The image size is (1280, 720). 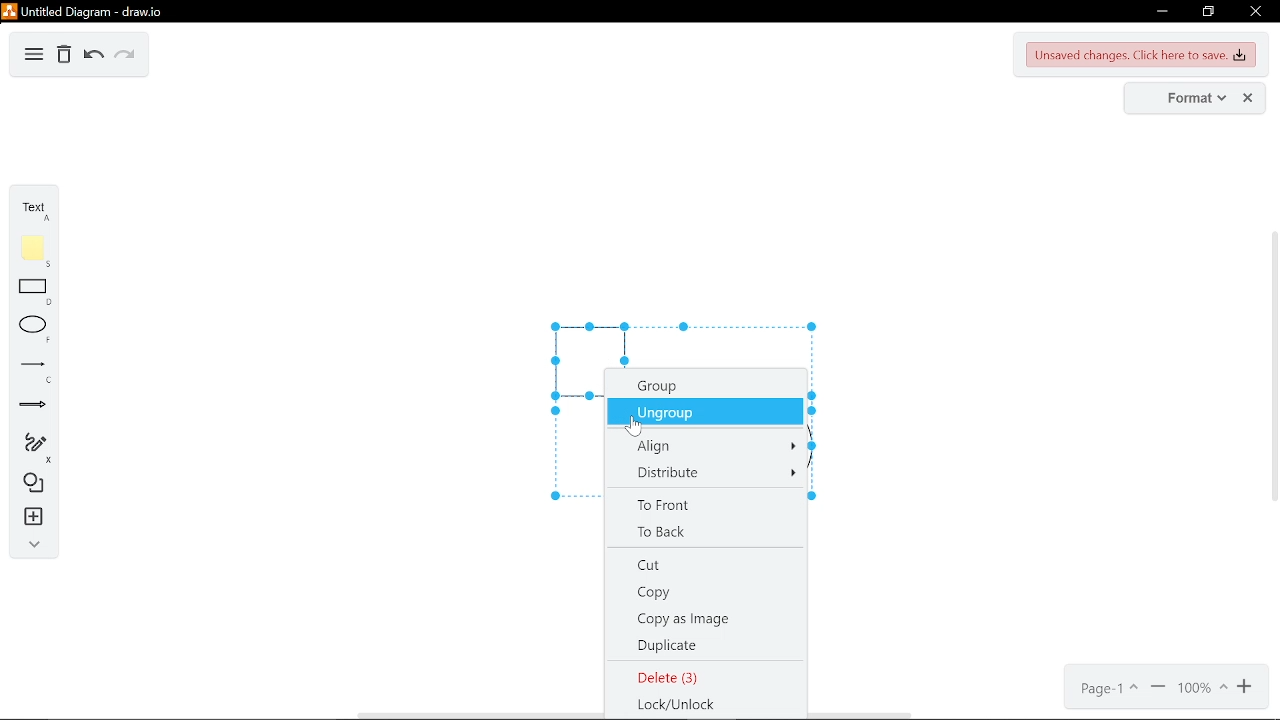 I want to click on text, so click(x=30, y=211).